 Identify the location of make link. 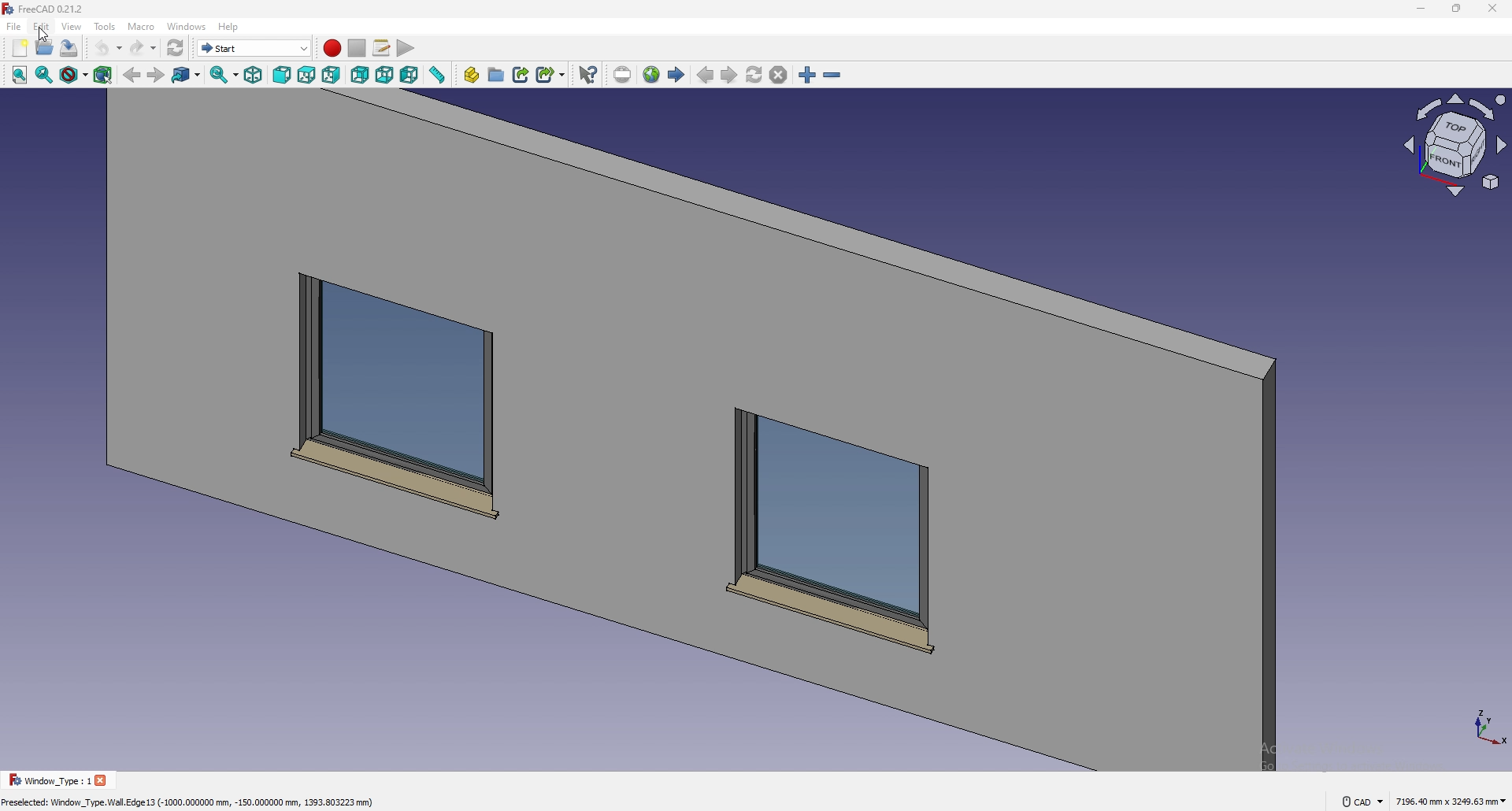
(522, 73).